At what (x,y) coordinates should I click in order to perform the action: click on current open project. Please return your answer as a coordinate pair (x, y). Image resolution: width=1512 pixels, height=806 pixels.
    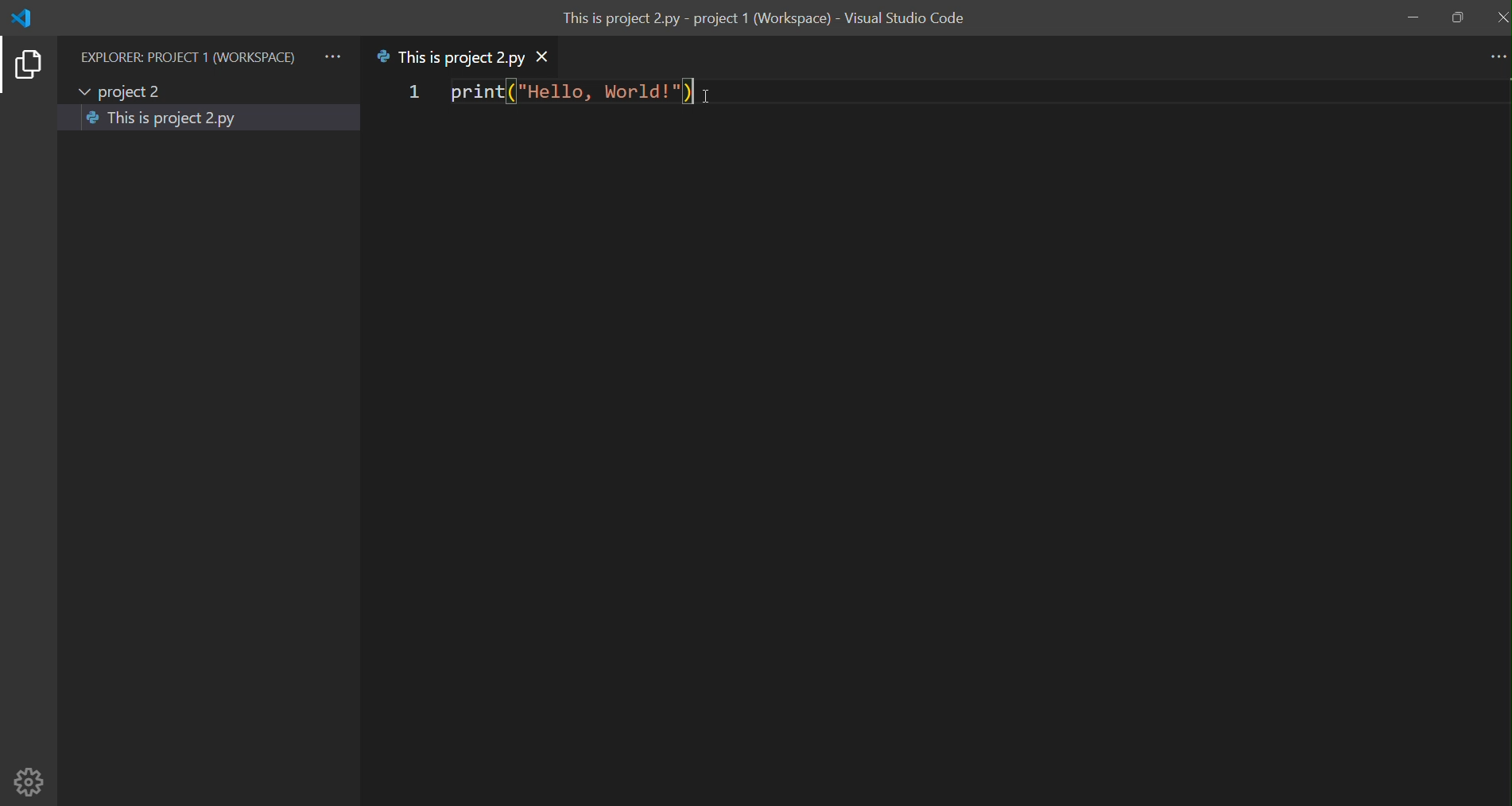
    Looking at the image, I should click on (131, 92).